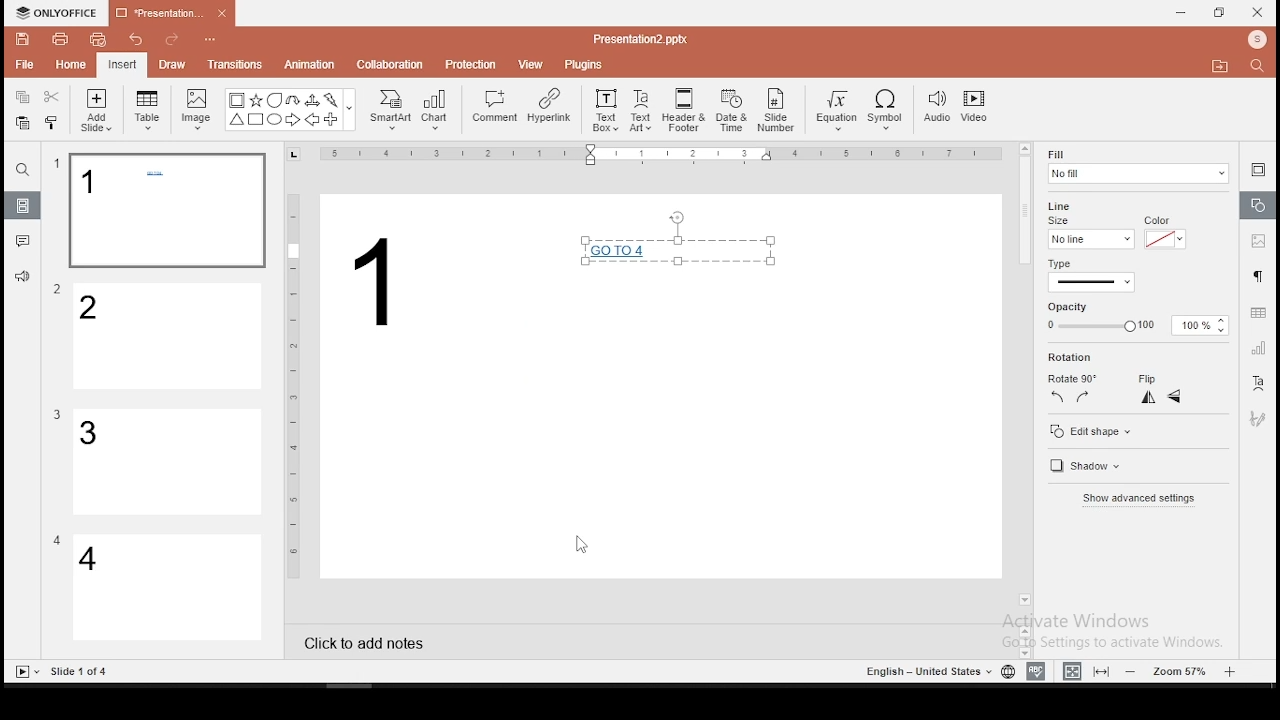 The image size is (1280, 720). What do you see at coordinates (1263, 67) in the screenshot?
I see `Search` at bounding box center [1263, 67].